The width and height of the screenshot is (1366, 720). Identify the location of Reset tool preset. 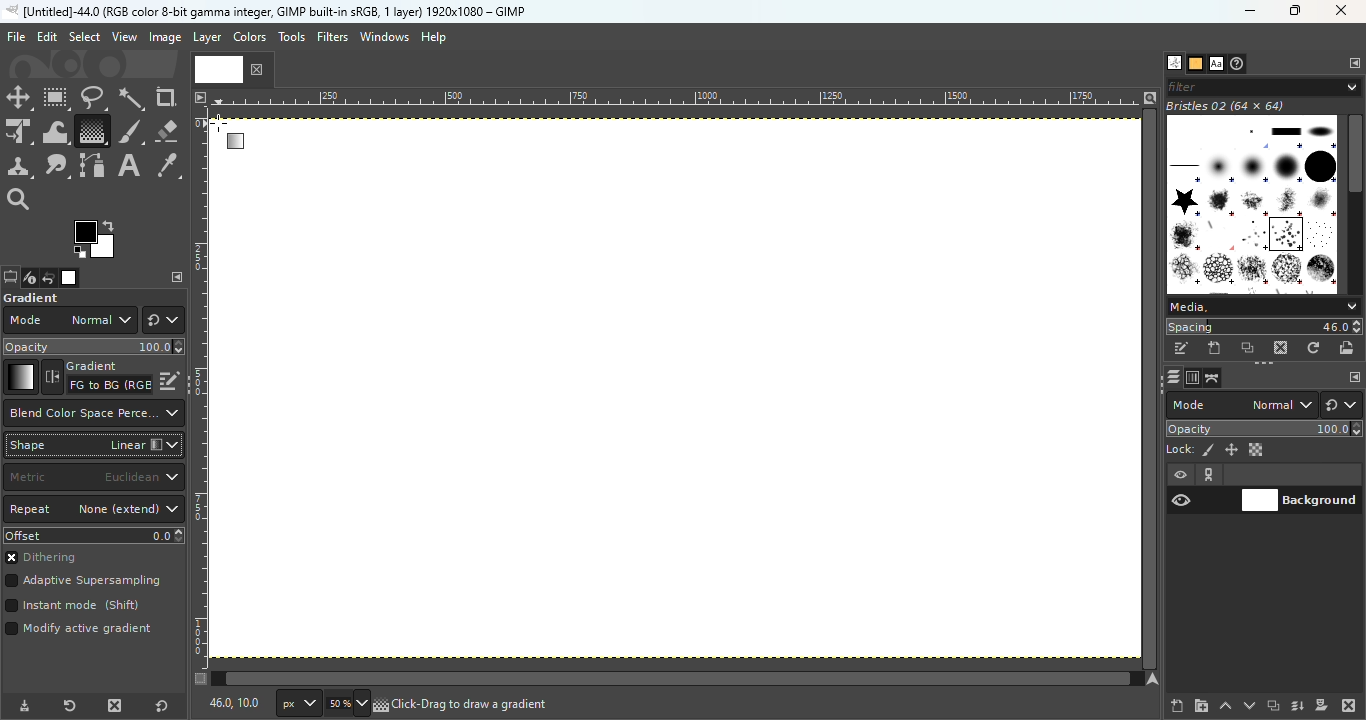
(67, 707).